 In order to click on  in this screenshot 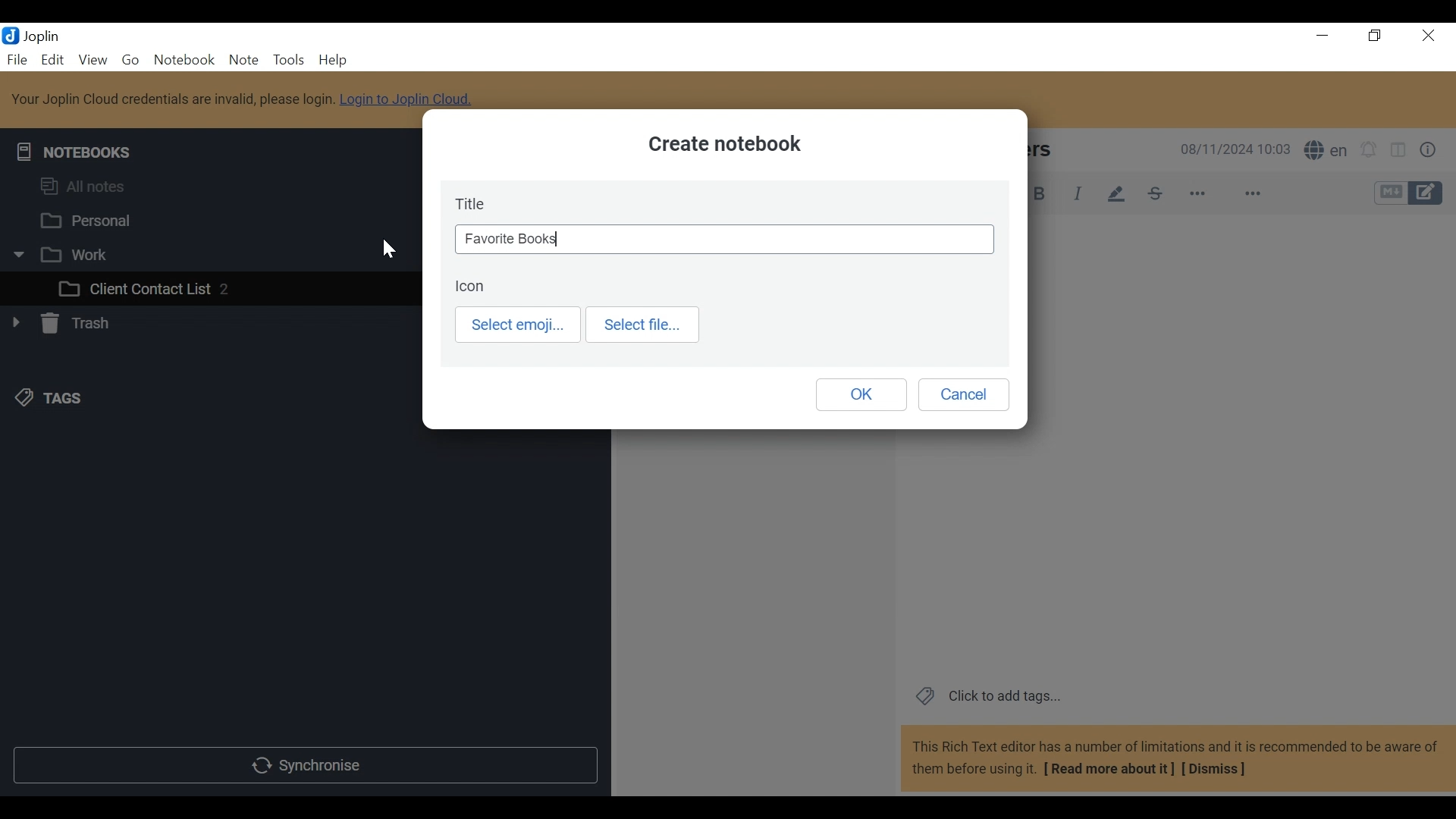, I will do `click(54, 60)`.